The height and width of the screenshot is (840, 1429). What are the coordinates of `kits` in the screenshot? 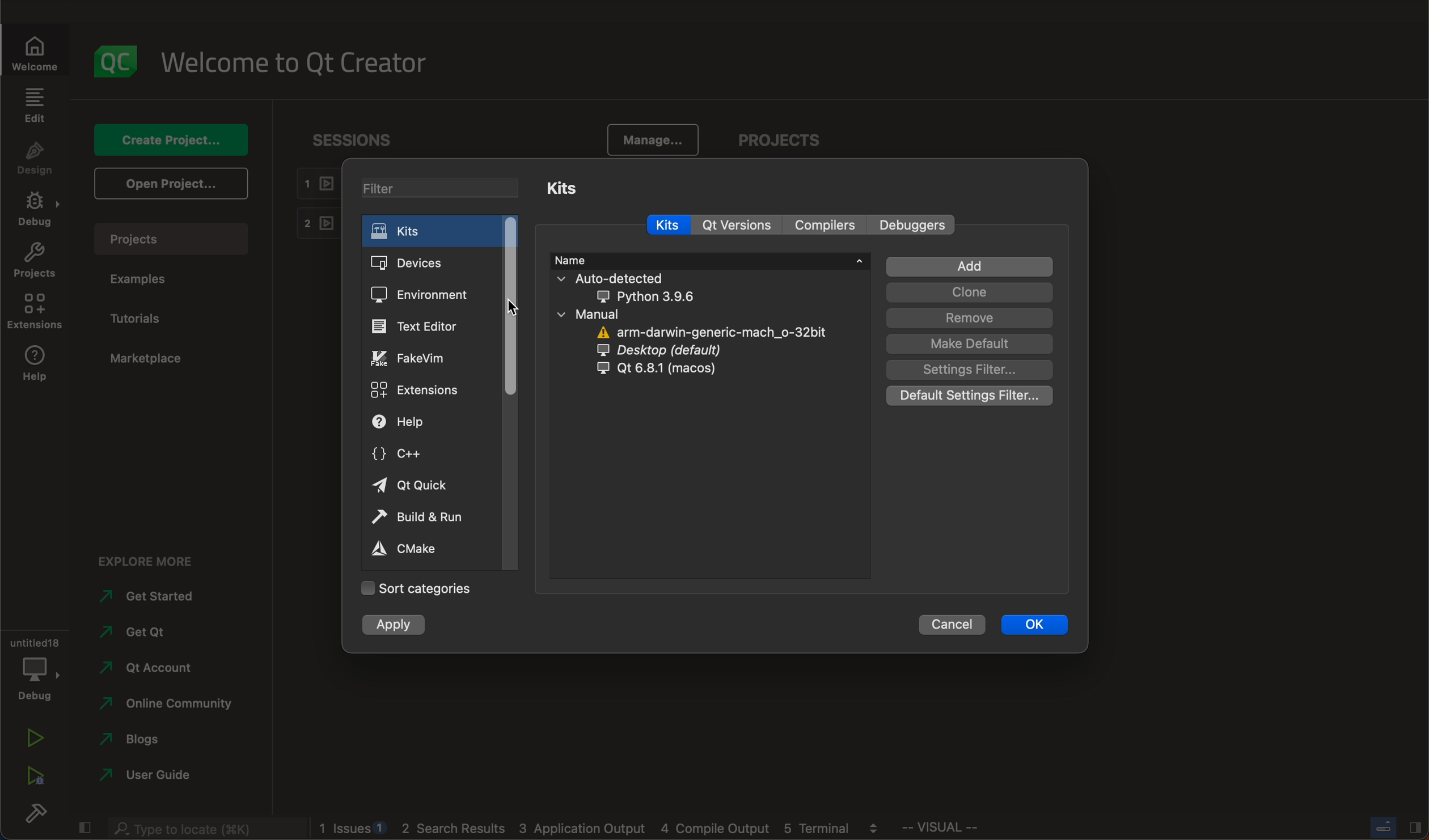 It's located at (671, 226).